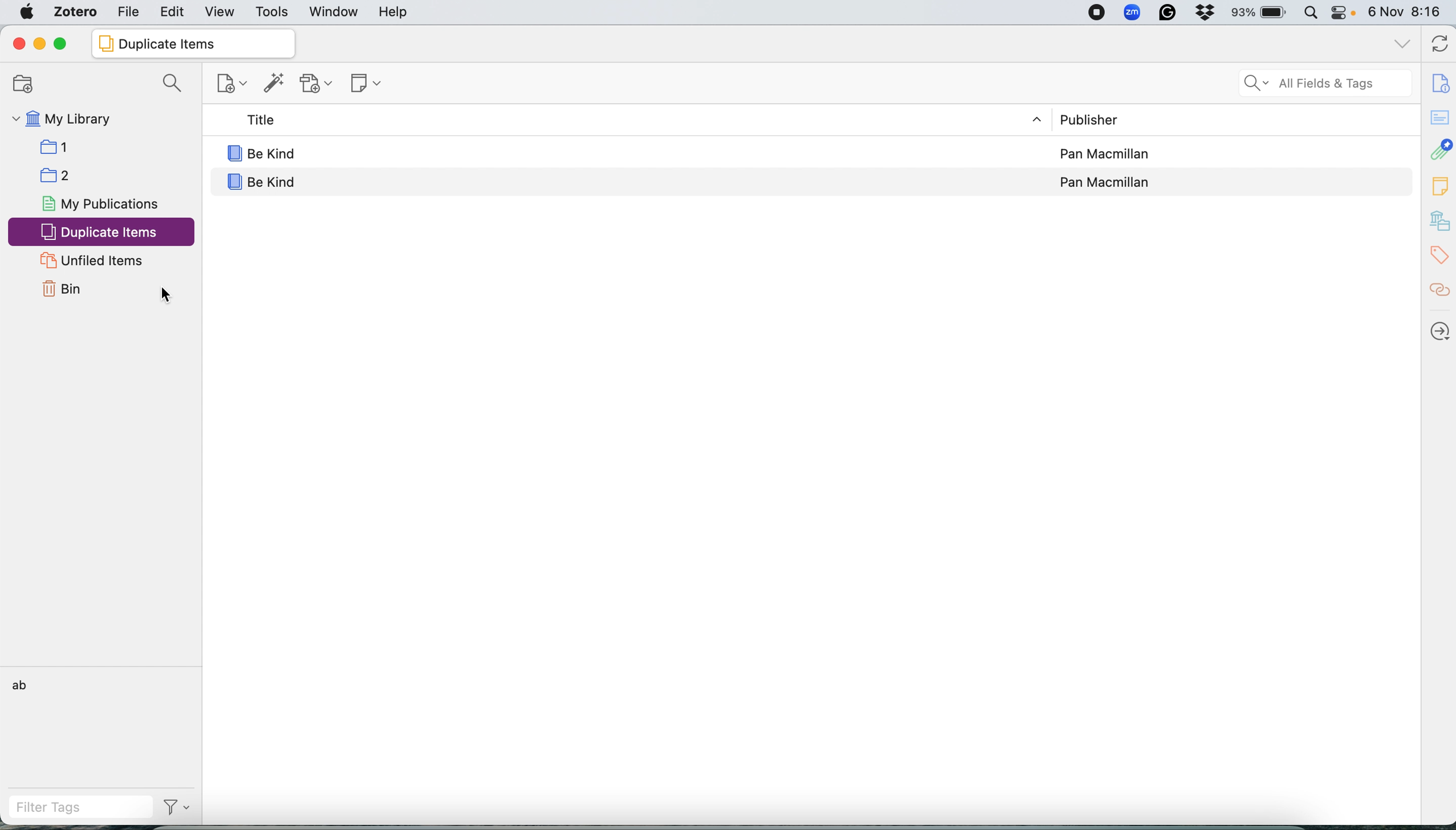 Image resolution: width=1456 pixels, height=830 pixels. I want to click on my library, so click(101, 118).